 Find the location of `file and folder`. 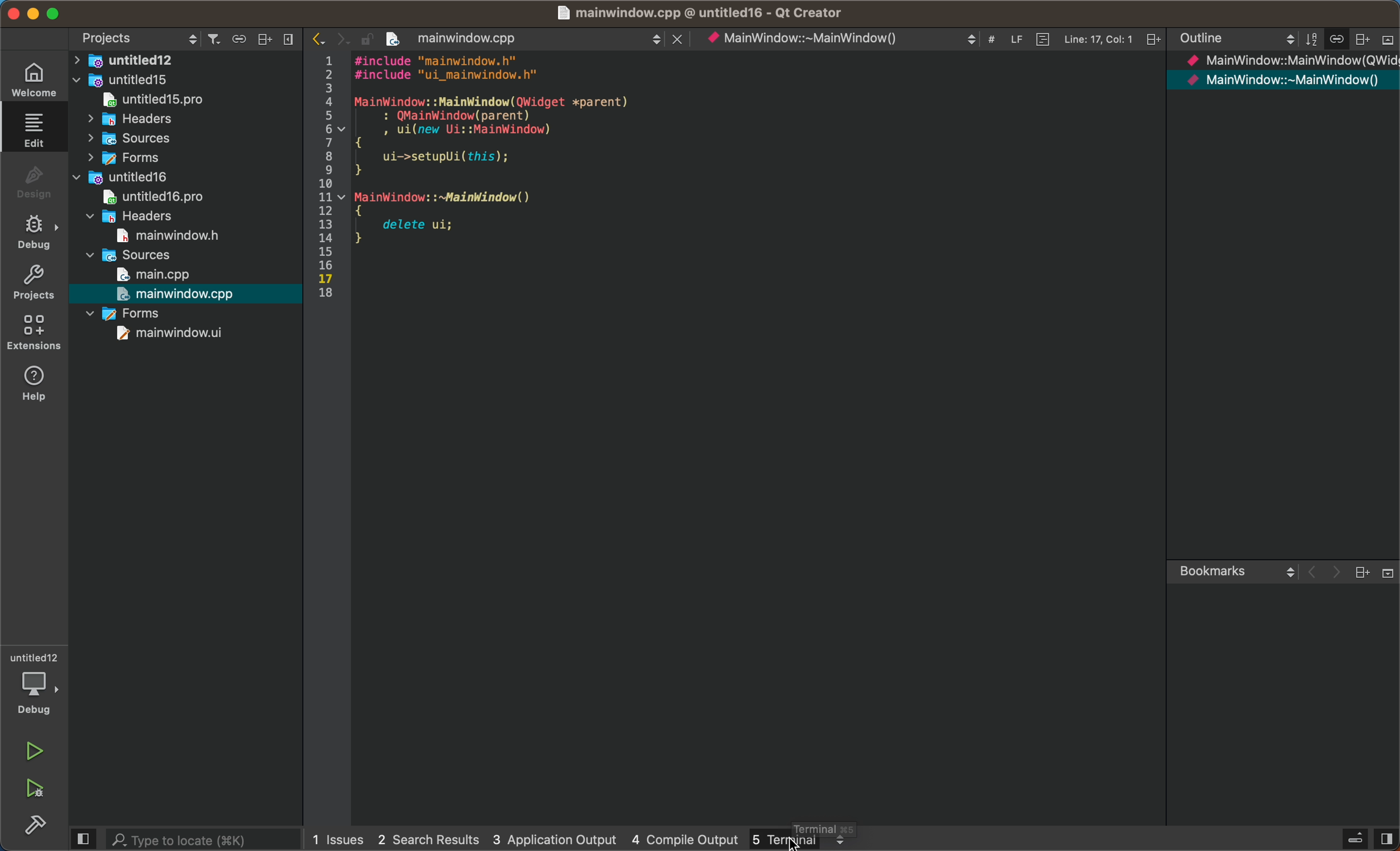

file and folder is located at coordinates (131, 313).